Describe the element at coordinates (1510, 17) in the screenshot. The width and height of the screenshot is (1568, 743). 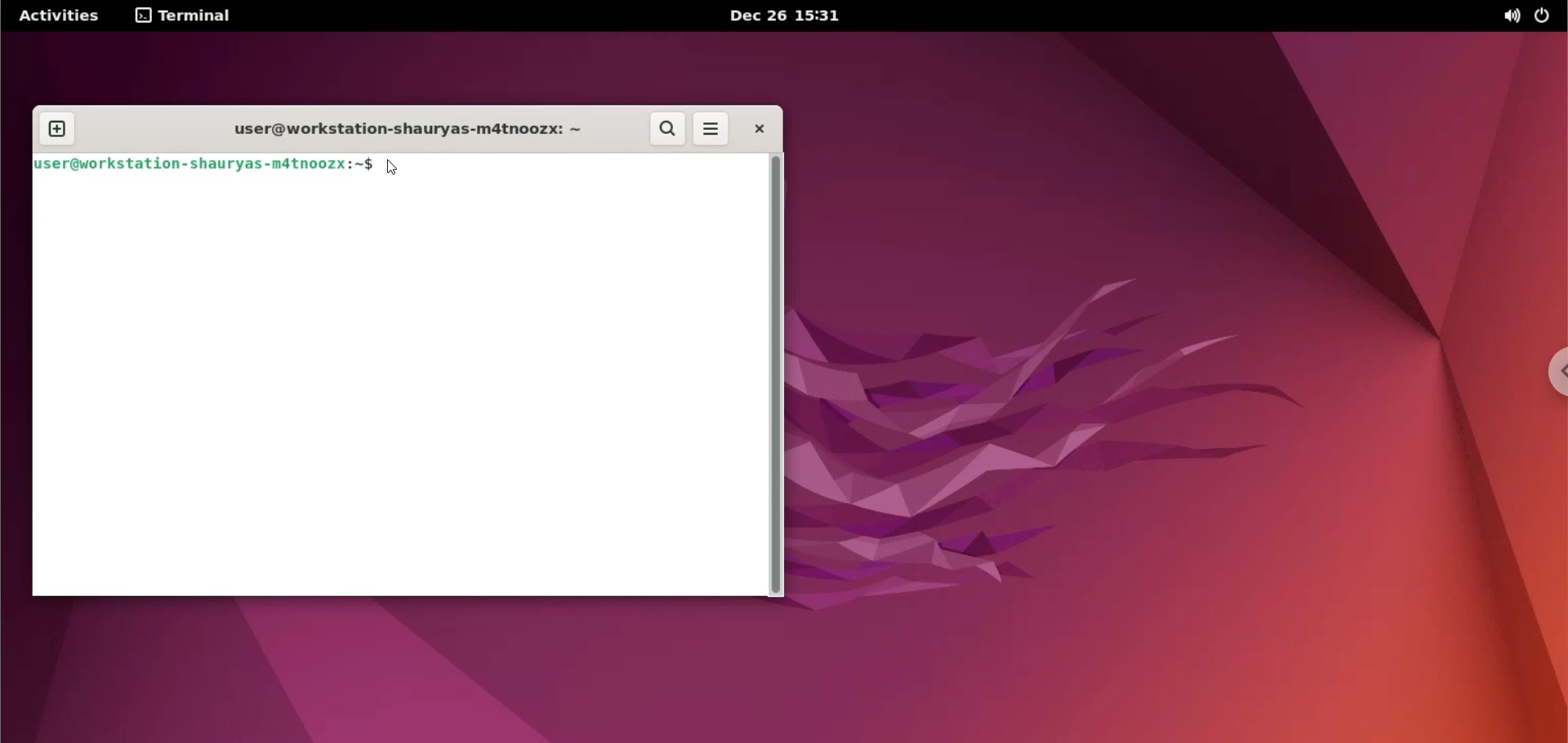
I see `sound options` at that location.